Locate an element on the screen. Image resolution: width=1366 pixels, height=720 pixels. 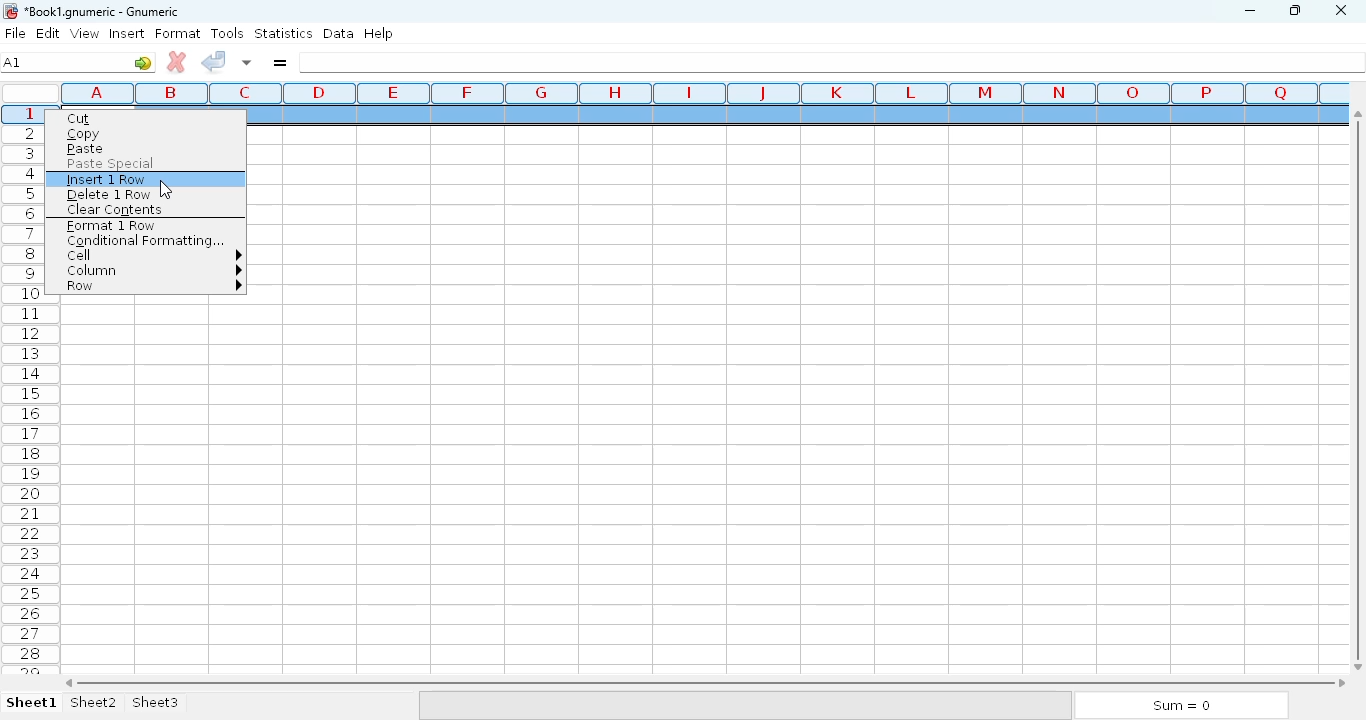
paste special is located at coordinates (111, 164).